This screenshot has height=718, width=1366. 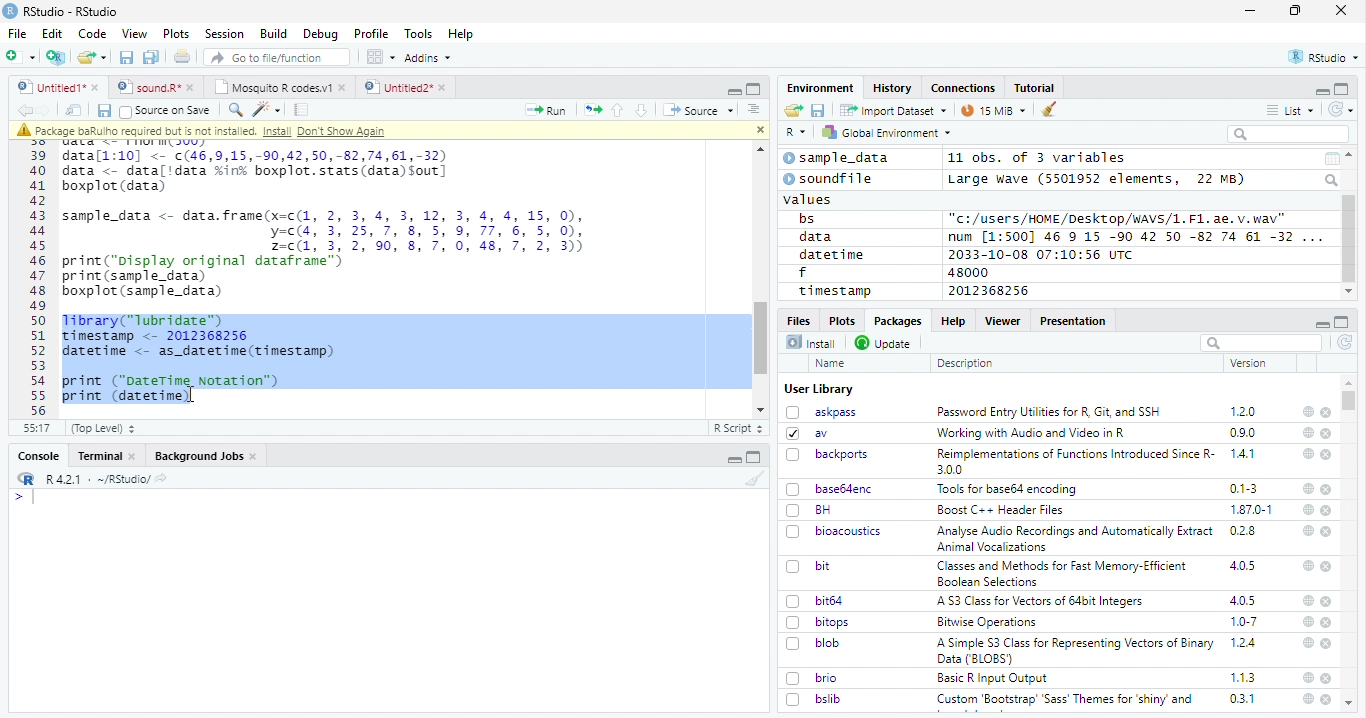 What do you see at coordinates (830, 455) in the screenshot?
I see `backports` at bounding box center [830, 455].